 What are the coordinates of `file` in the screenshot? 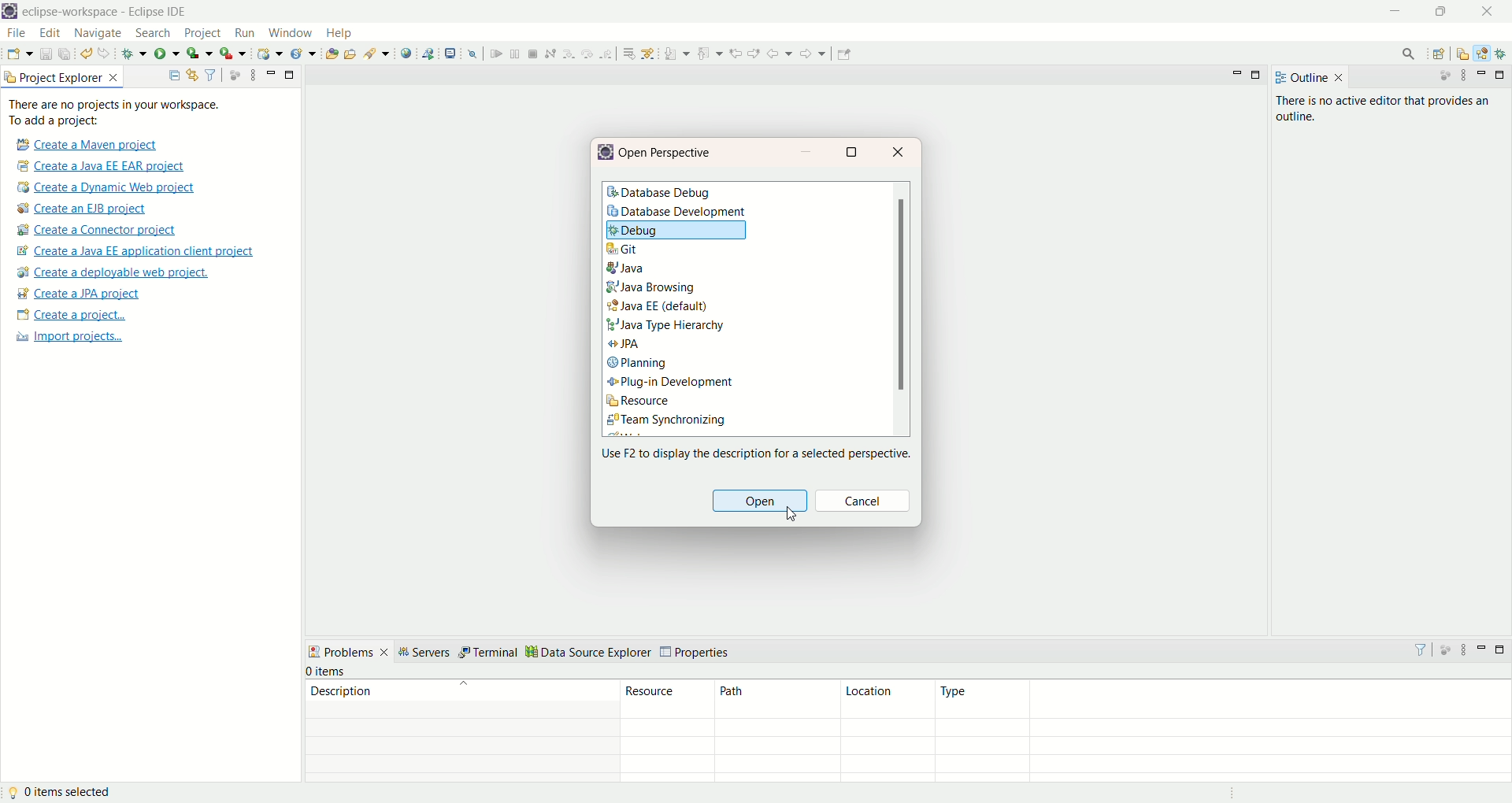 It's located at (17, 33).